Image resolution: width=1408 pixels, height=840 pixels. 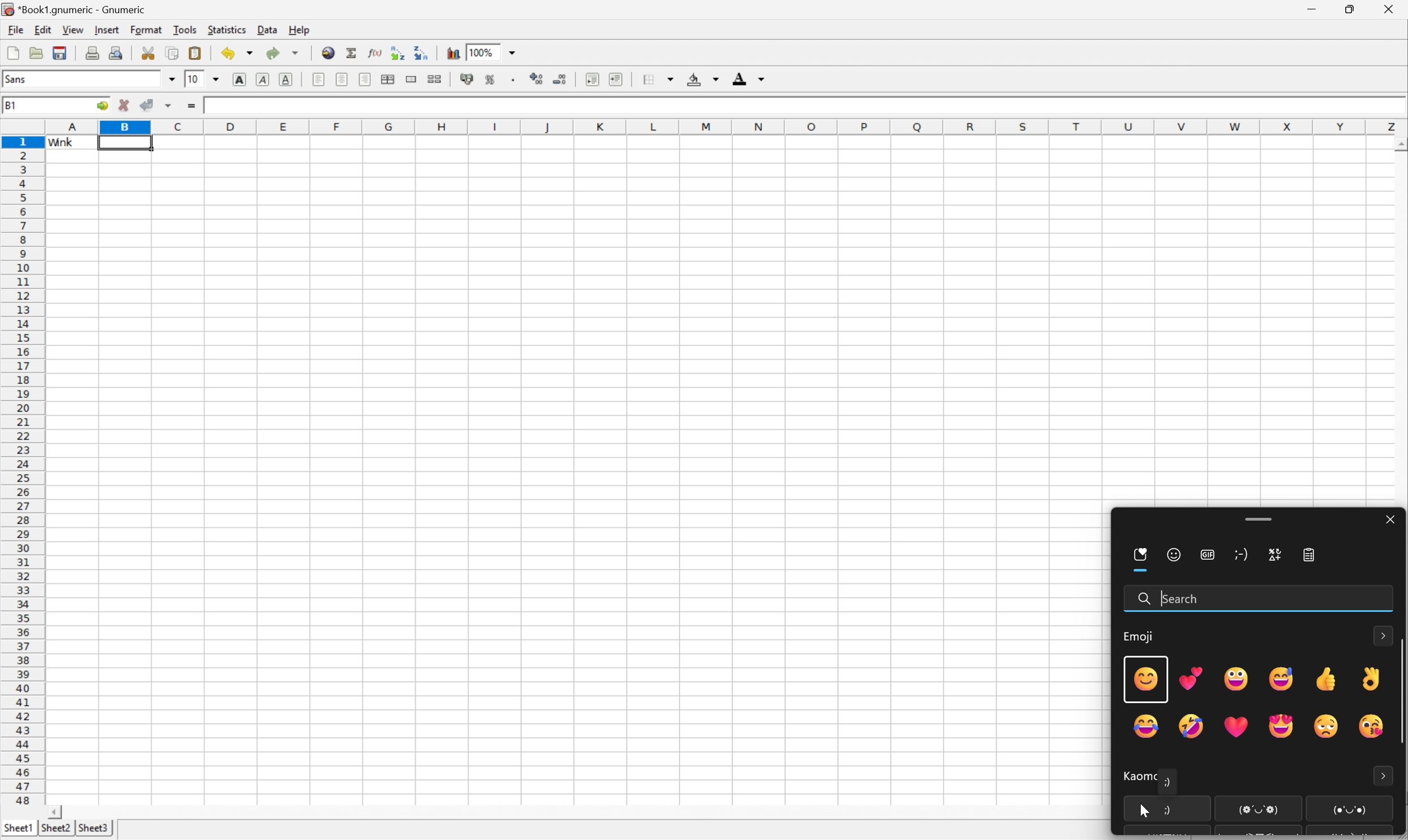 I want to click on center horizontally, so click(x=343, y=79).